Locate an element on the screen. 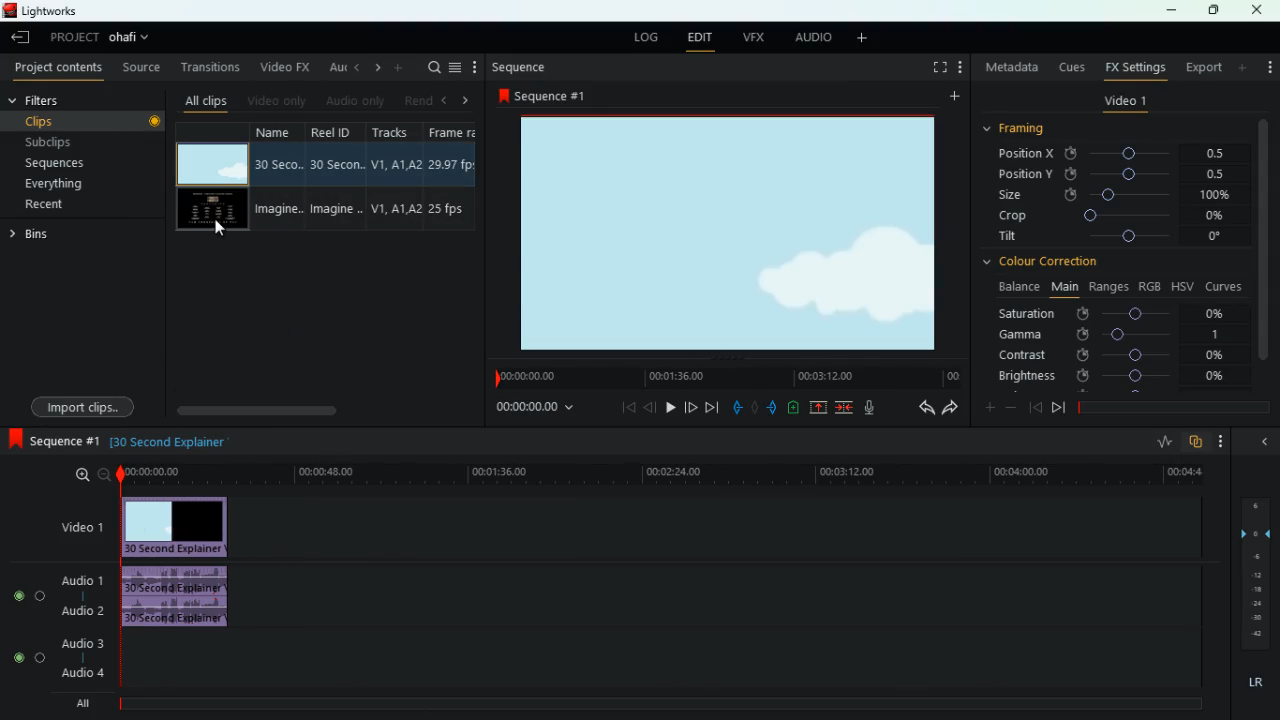 This screenshot has height=720, width=1280. audio 3 is located at coordinates (79, 645).